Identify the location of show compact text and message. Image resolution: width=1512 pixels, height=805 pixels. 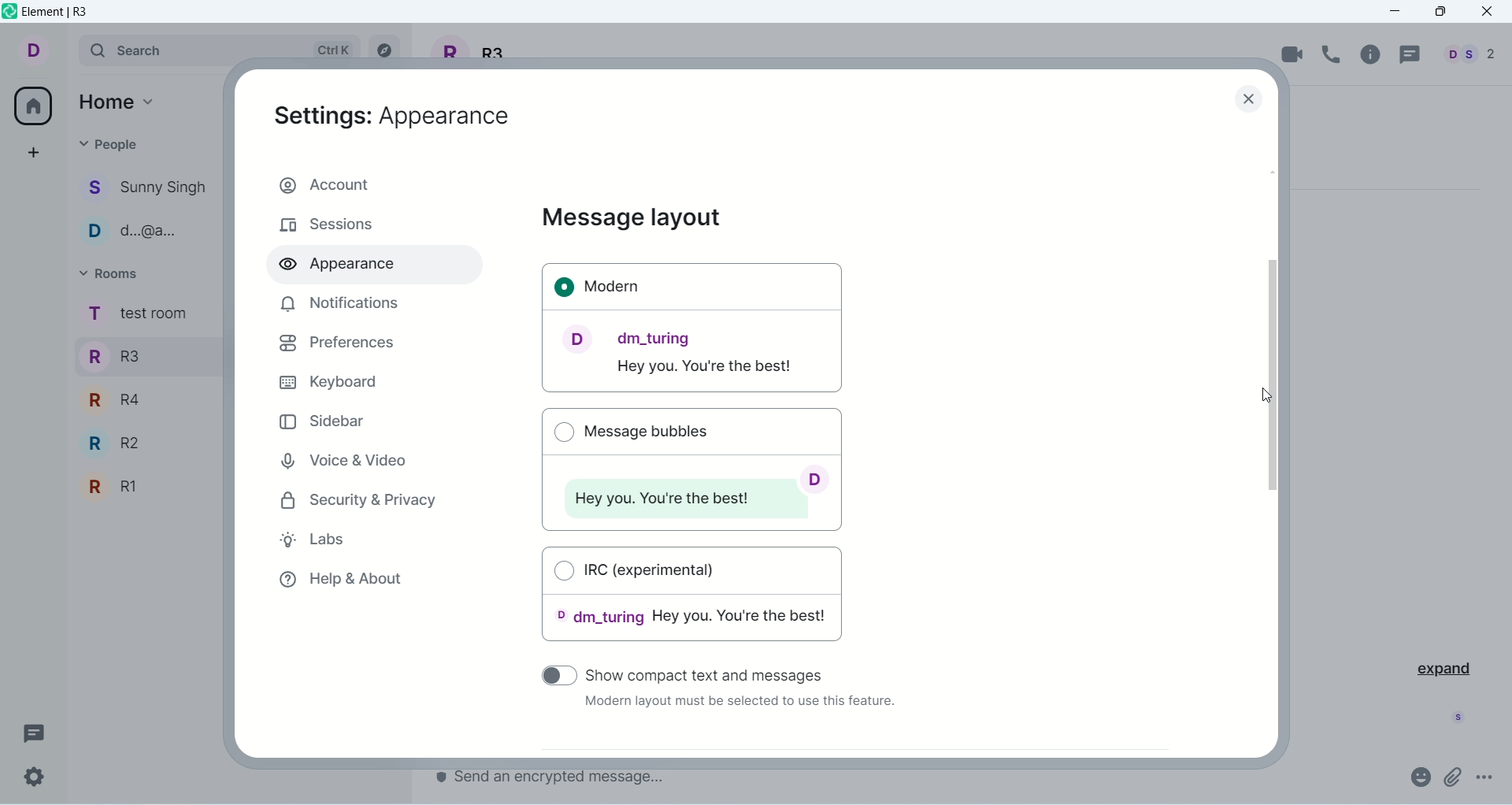
(717, 673).